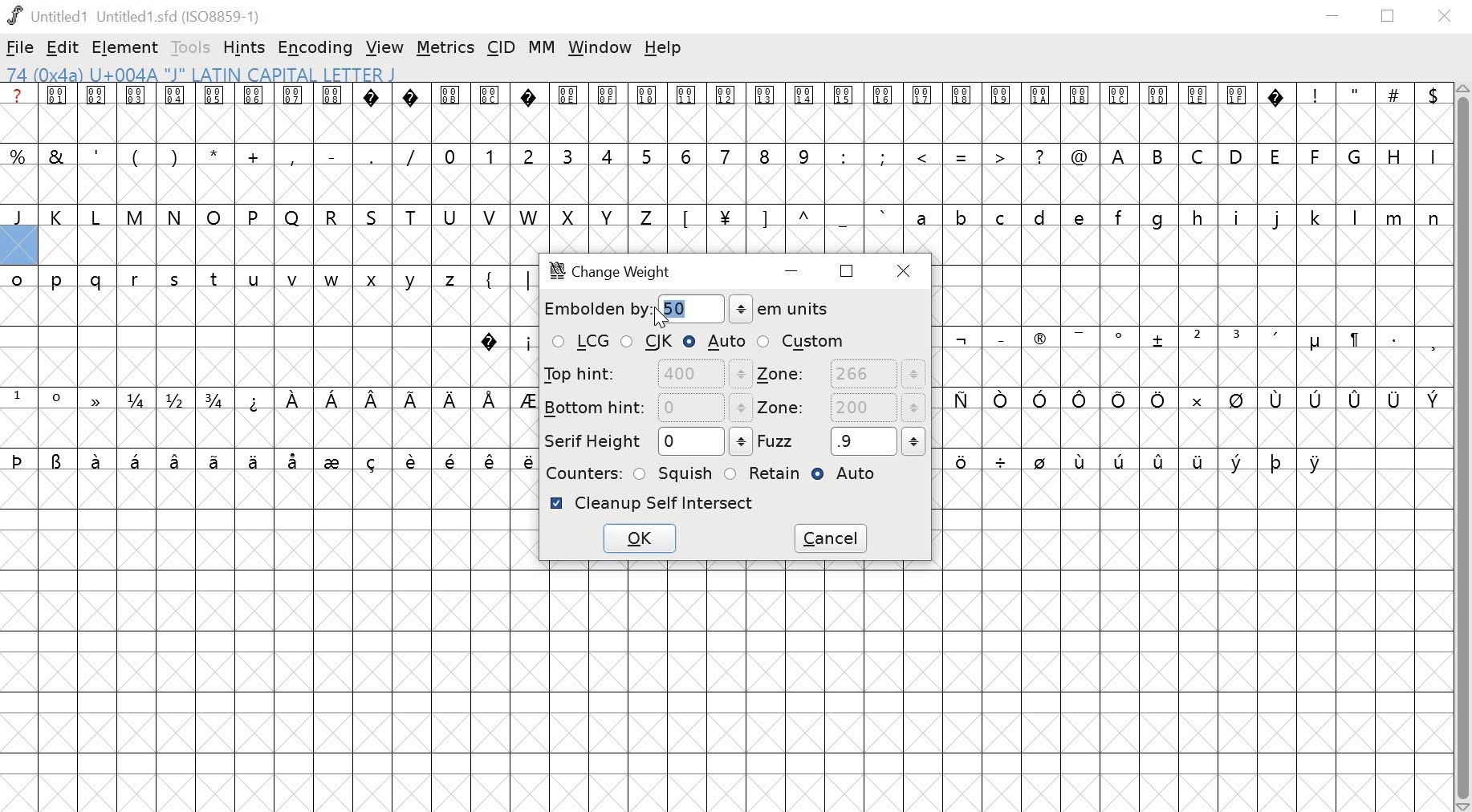  I want to click on restore down, so click(848, 270).